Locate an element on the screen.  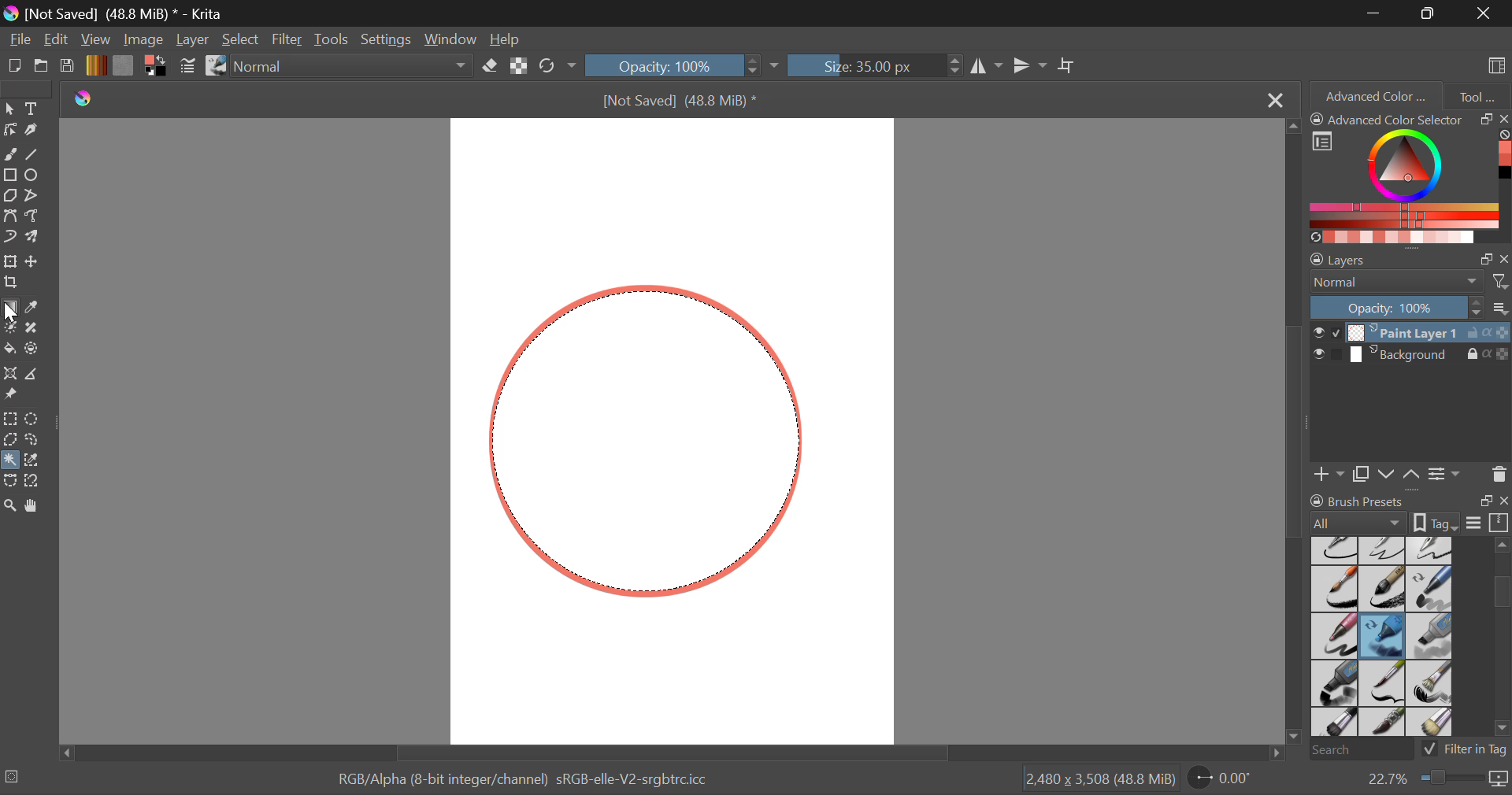
Dynamic Brush Tool is located at coordinates (9, 238).